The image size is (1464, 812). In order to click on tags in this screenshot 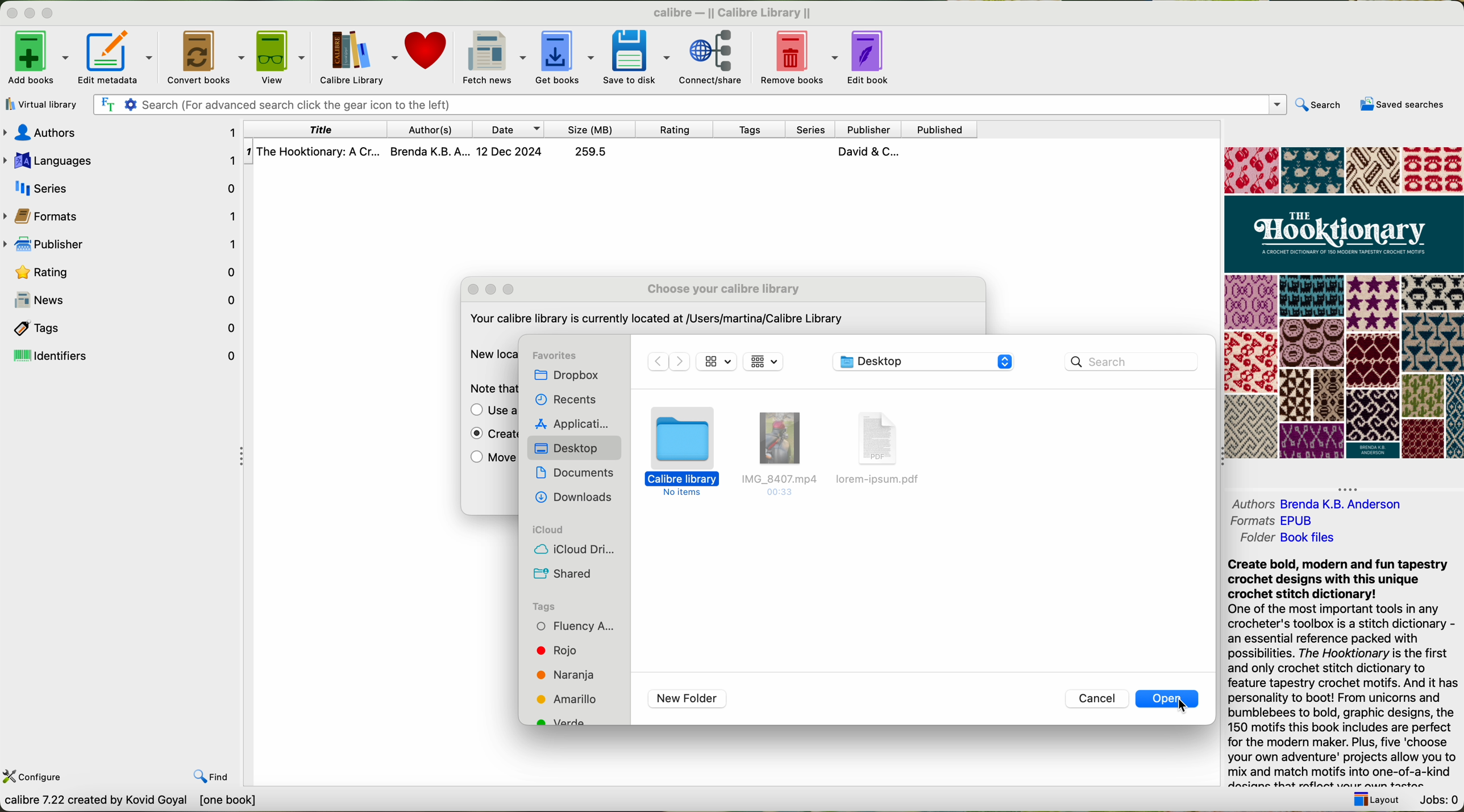, I will do `click(543, 606)`.